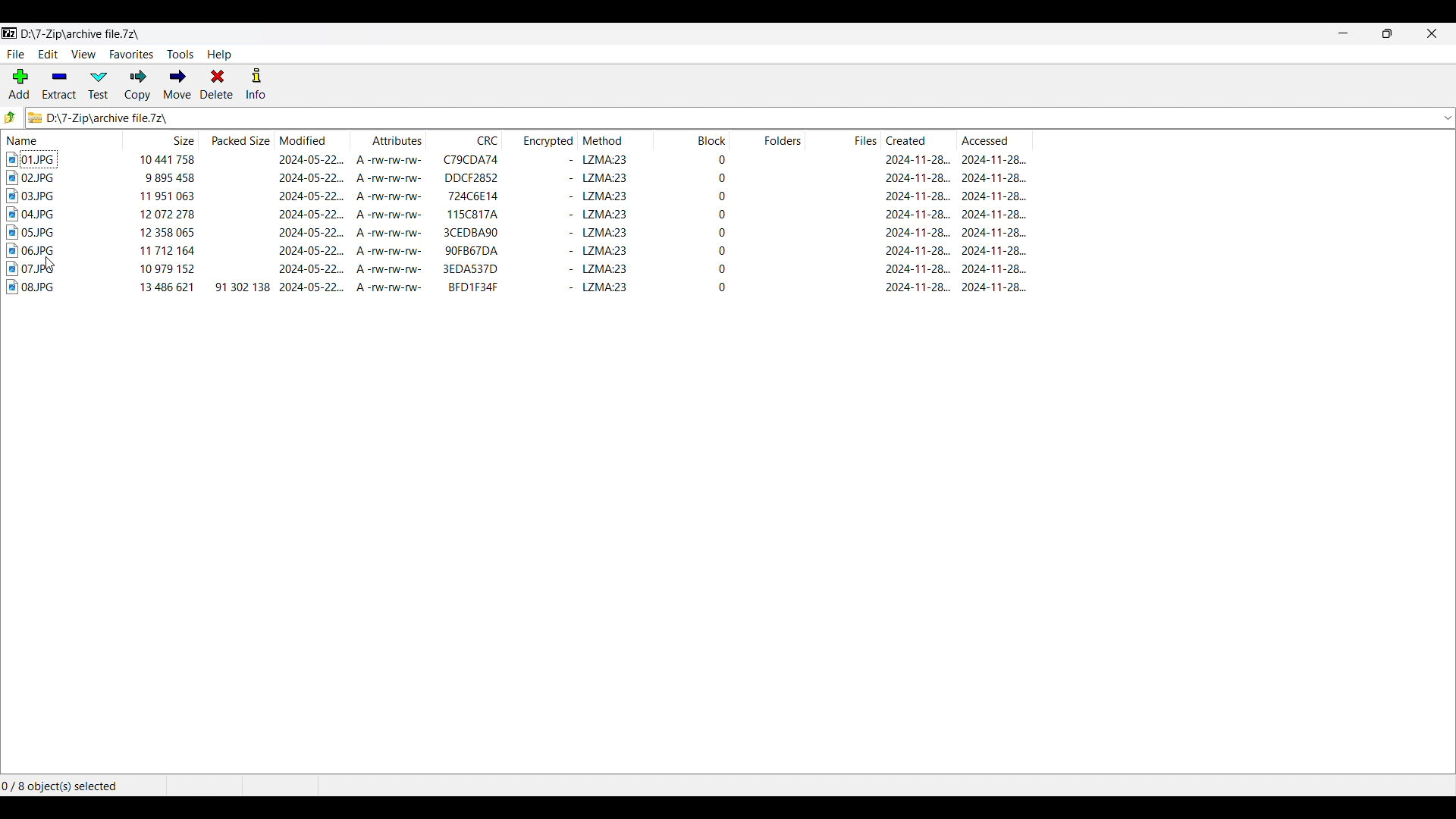 The height and width of the screenshot is (819, 1456). Describe the element at coordinates (63, 139) in the screenshot. I see `Name column` at that location.